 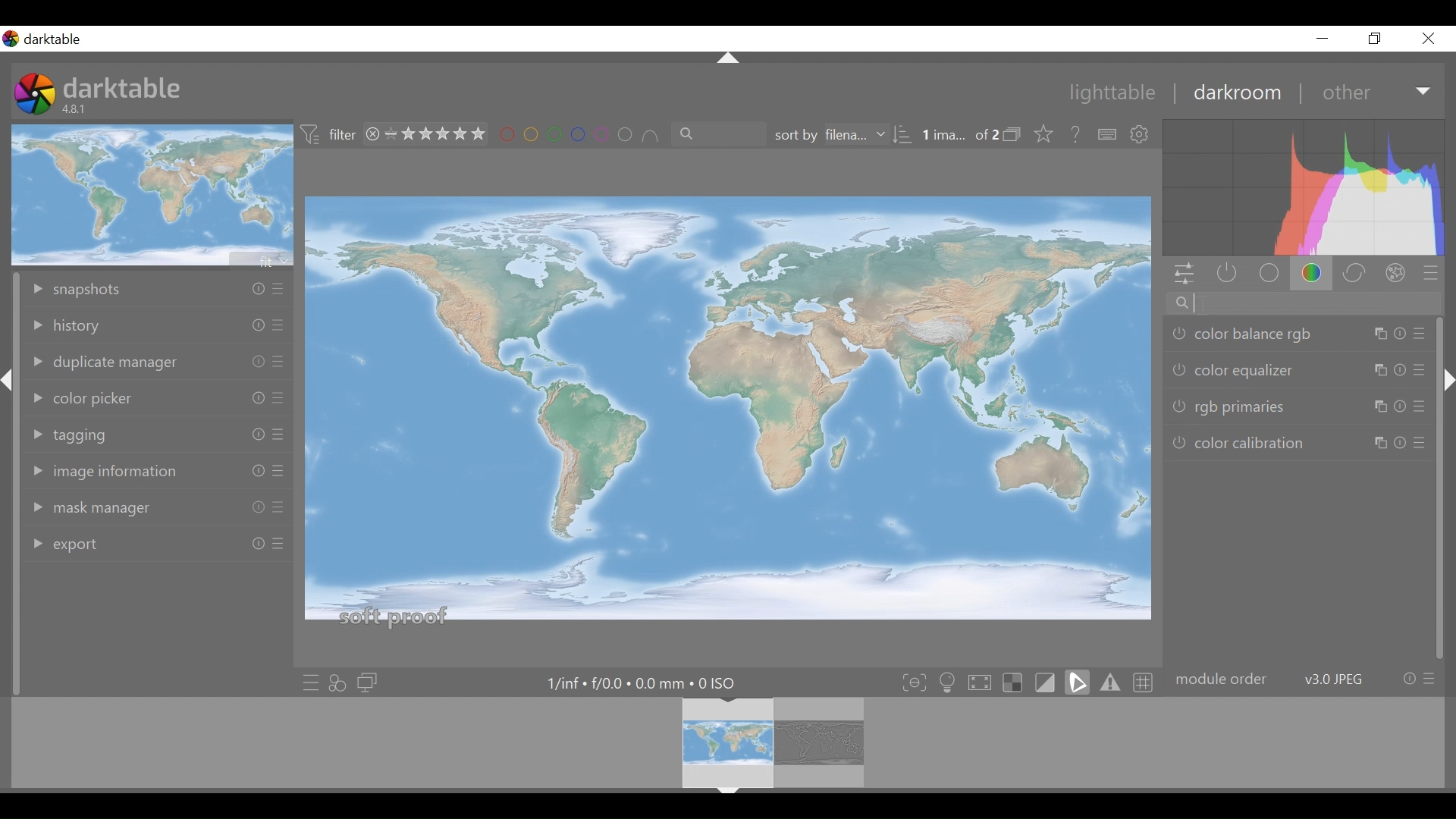 What do you see at coordinates (1311, 272) in the screenshot?
I see `color` at bounding box center [1311, 272].